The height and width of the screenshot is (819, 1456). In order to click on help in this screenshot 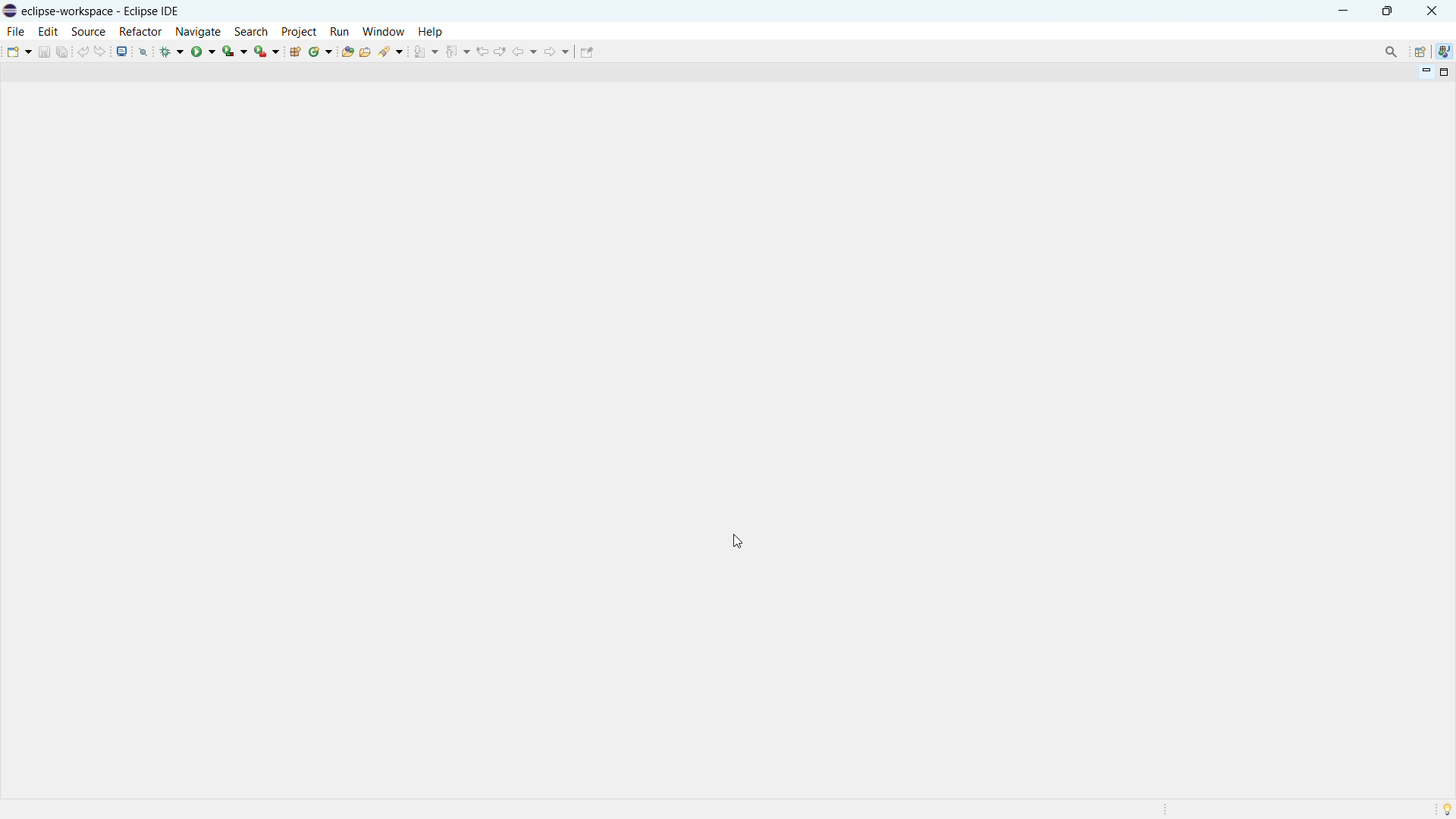, I will do `click(431, 32)`.